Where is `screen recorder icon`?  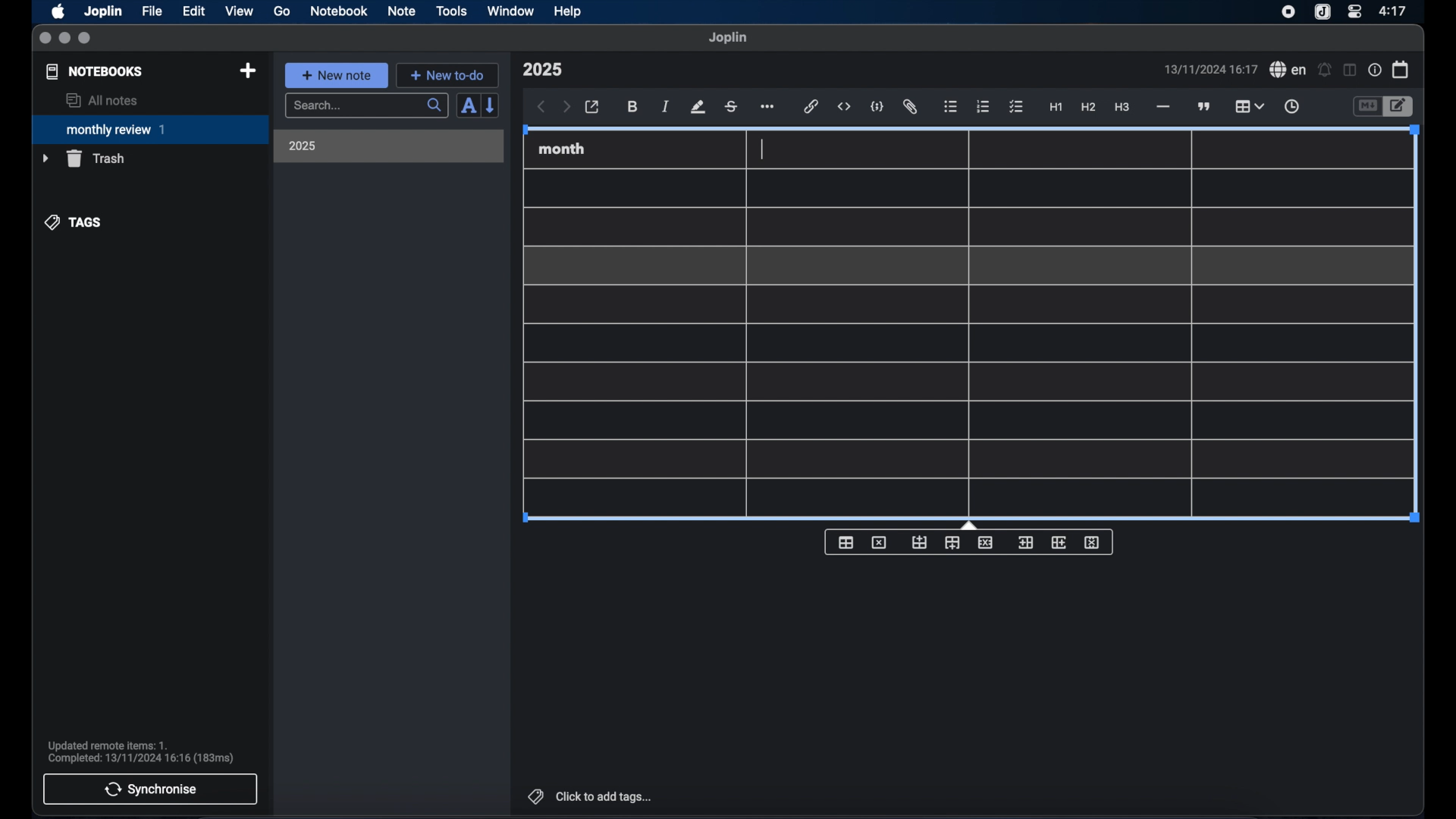 screen recorder icon is located at coordinates (1288, 12).